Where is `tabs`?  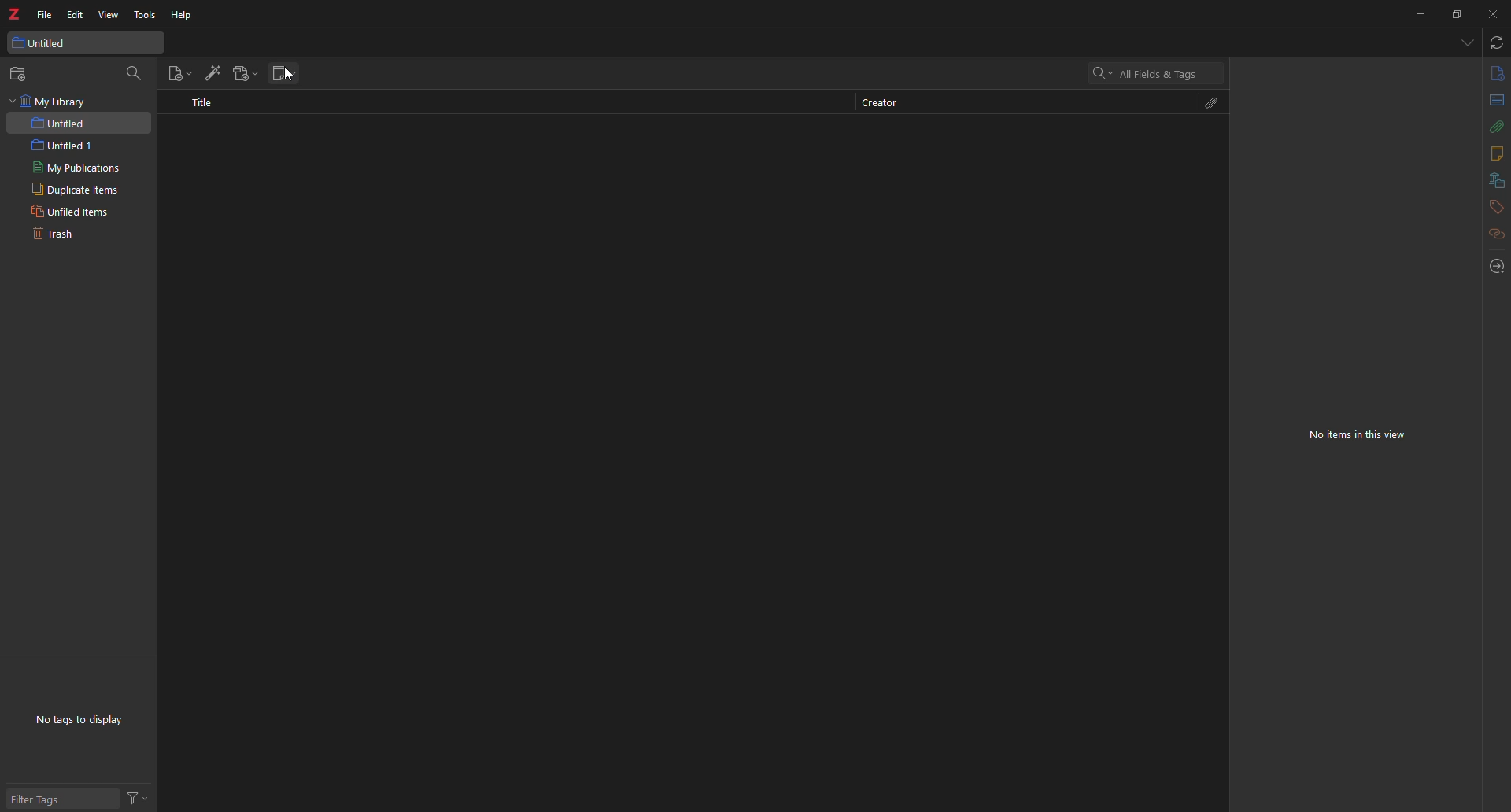 tabs is located at coordinates (1469, 42).